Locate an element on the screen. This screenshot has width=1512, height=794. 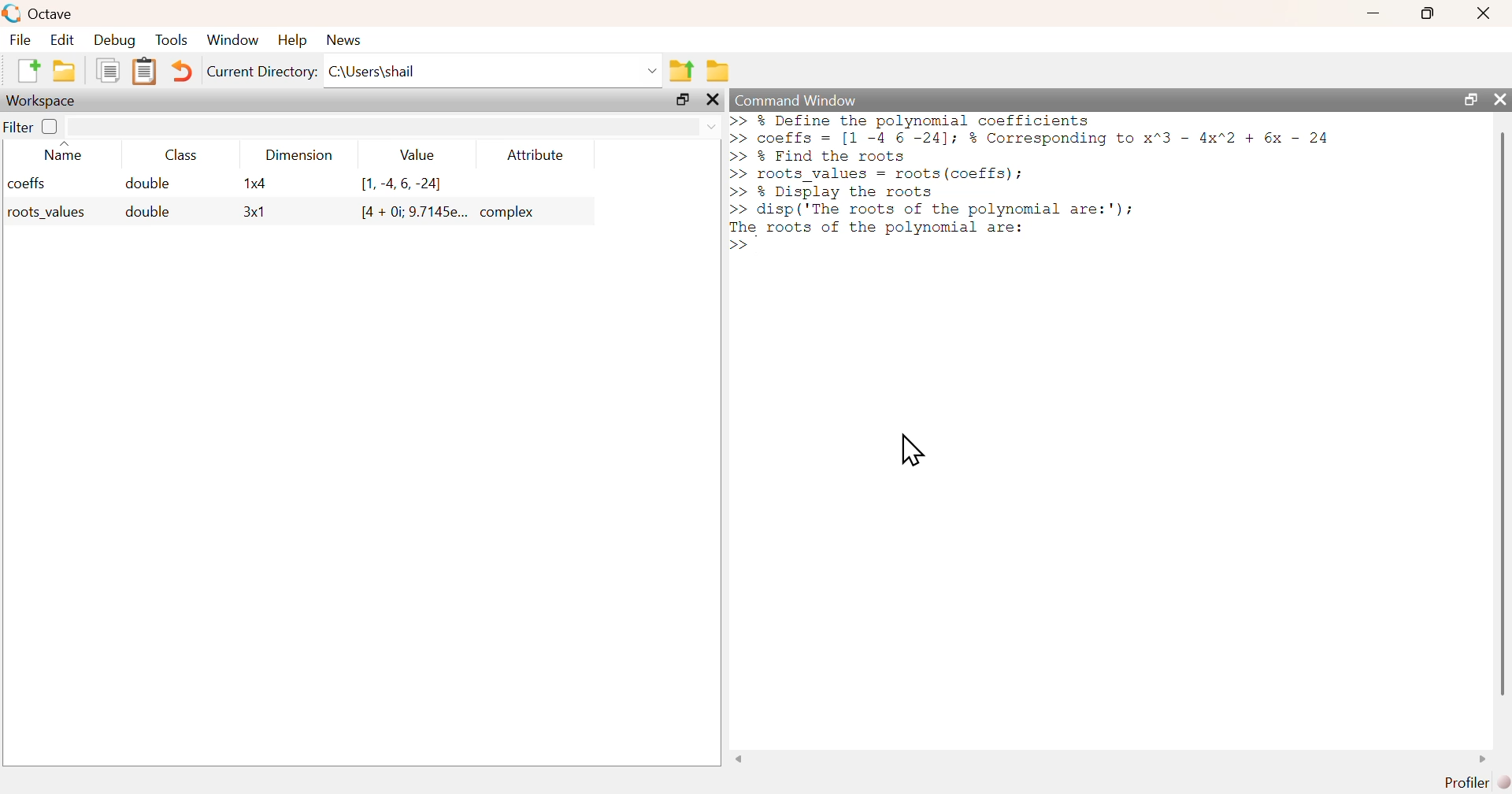
dropdown is located at coordinates (710, 127).